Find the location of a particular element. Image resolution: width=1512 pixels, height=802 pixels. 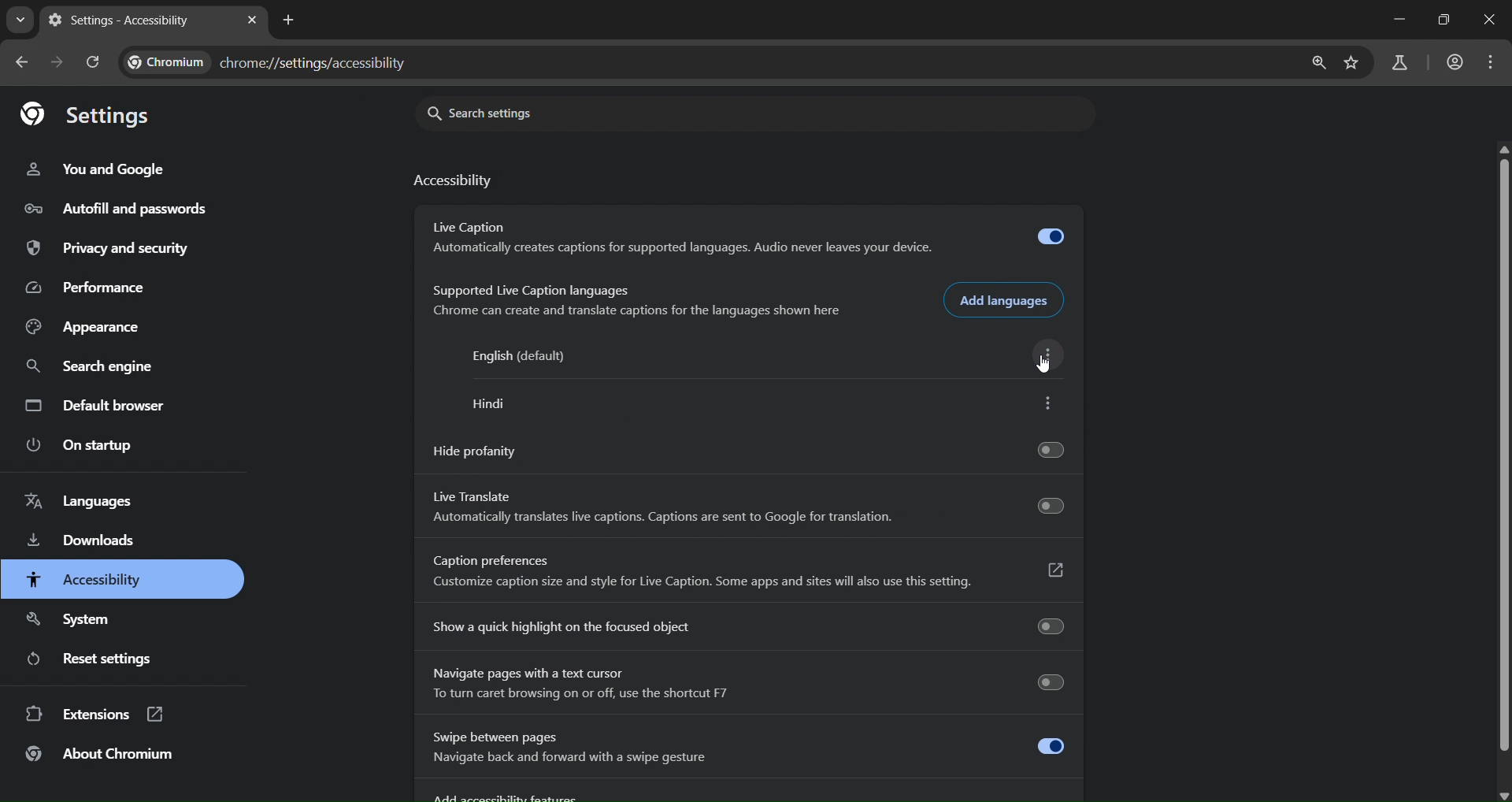

close is located at coordinates (1492, 22).